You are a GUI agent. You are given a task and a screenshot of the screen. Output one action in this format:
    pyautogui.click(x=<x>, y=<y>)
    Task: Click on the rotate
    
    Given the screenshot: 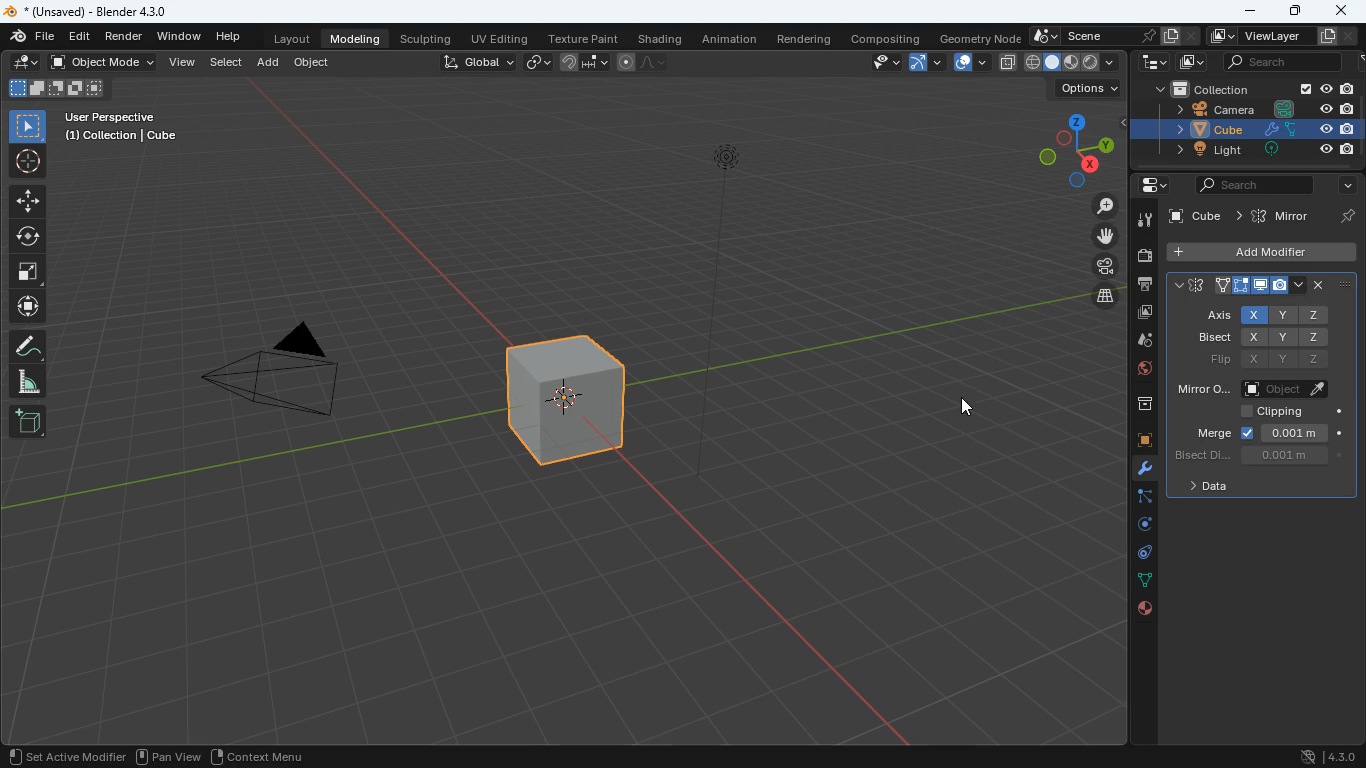 What is the action you would take?
    pyautogui.click(x=1141, y=528)
    